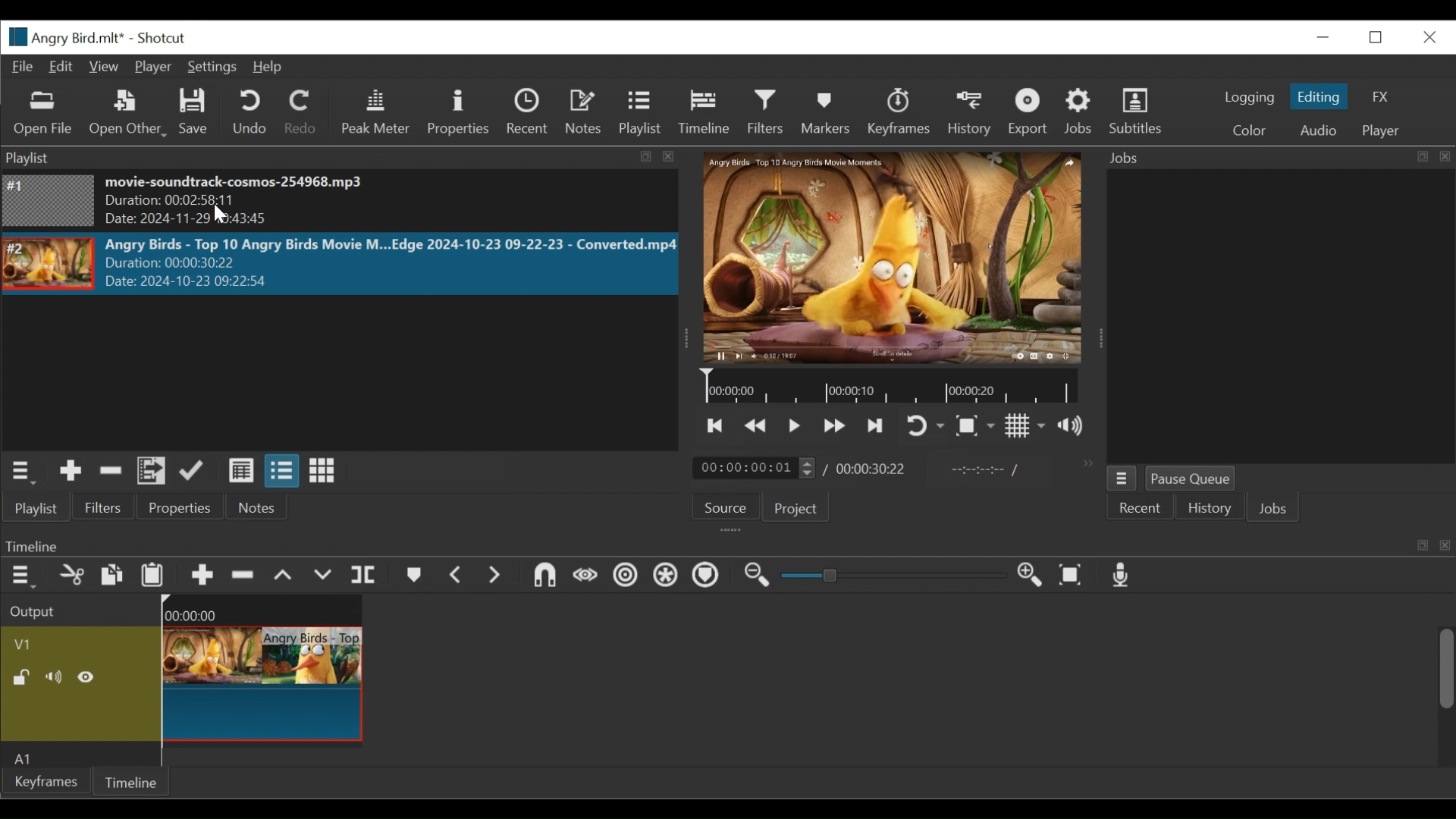  Describe the element at coordinates (165, 38) in the screenshot. I see `Shotcut` at that location.